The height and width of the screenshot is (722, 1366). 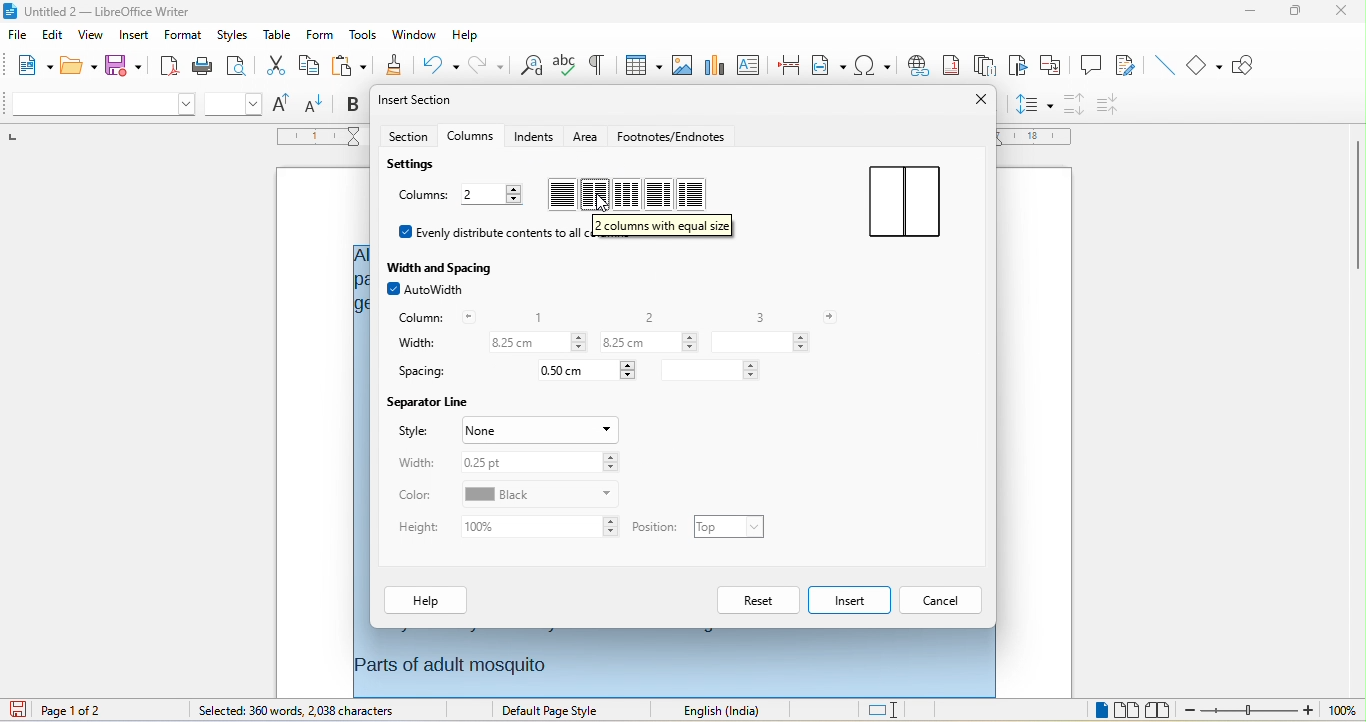 I want to click on level 1, so click(x=1023, y=712).